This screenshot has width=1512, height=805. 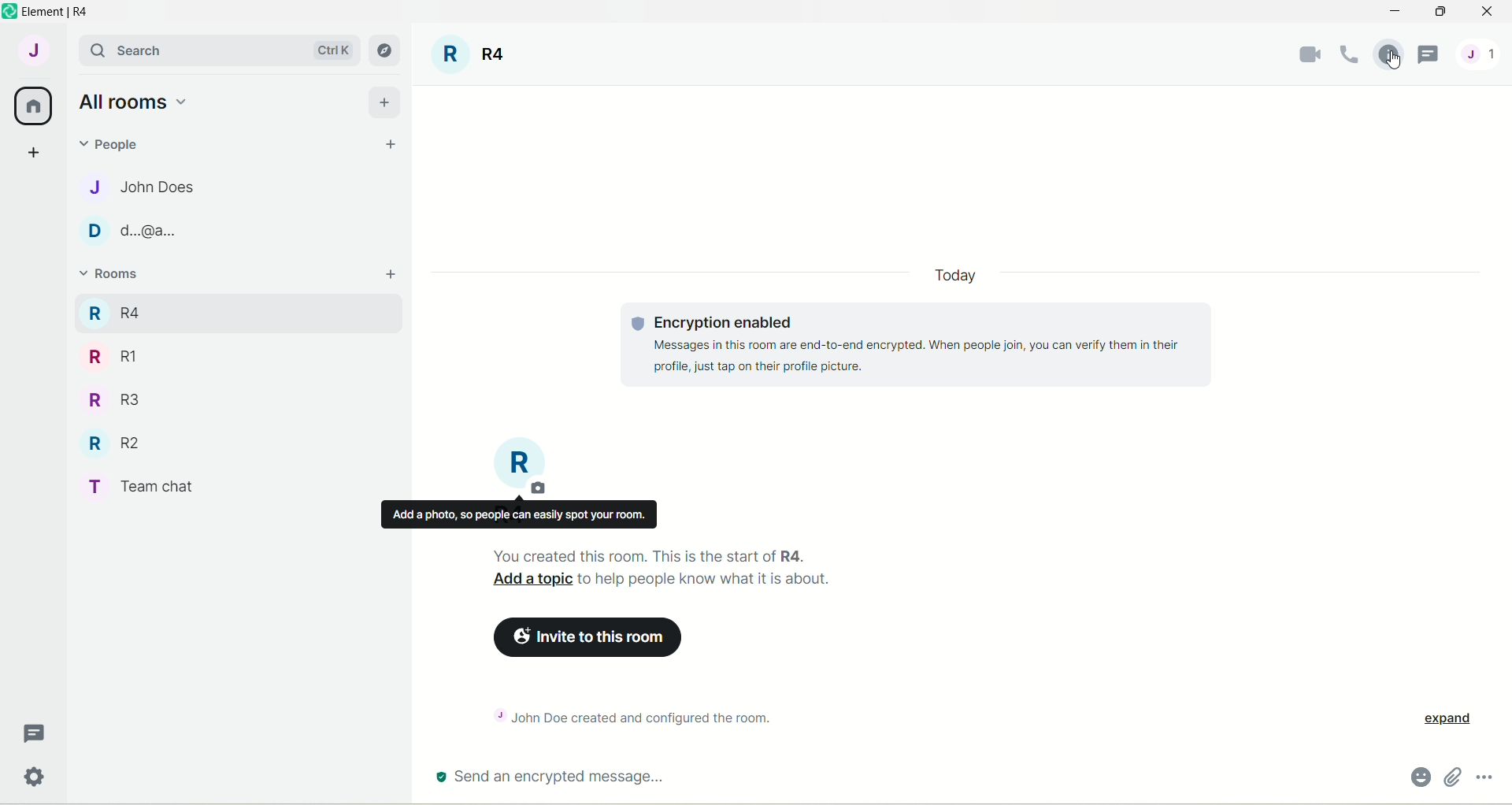 What do you see at coordinates (386, 50) in the screenshot?
I see `explore rooms` at bounding box center [386, 50].